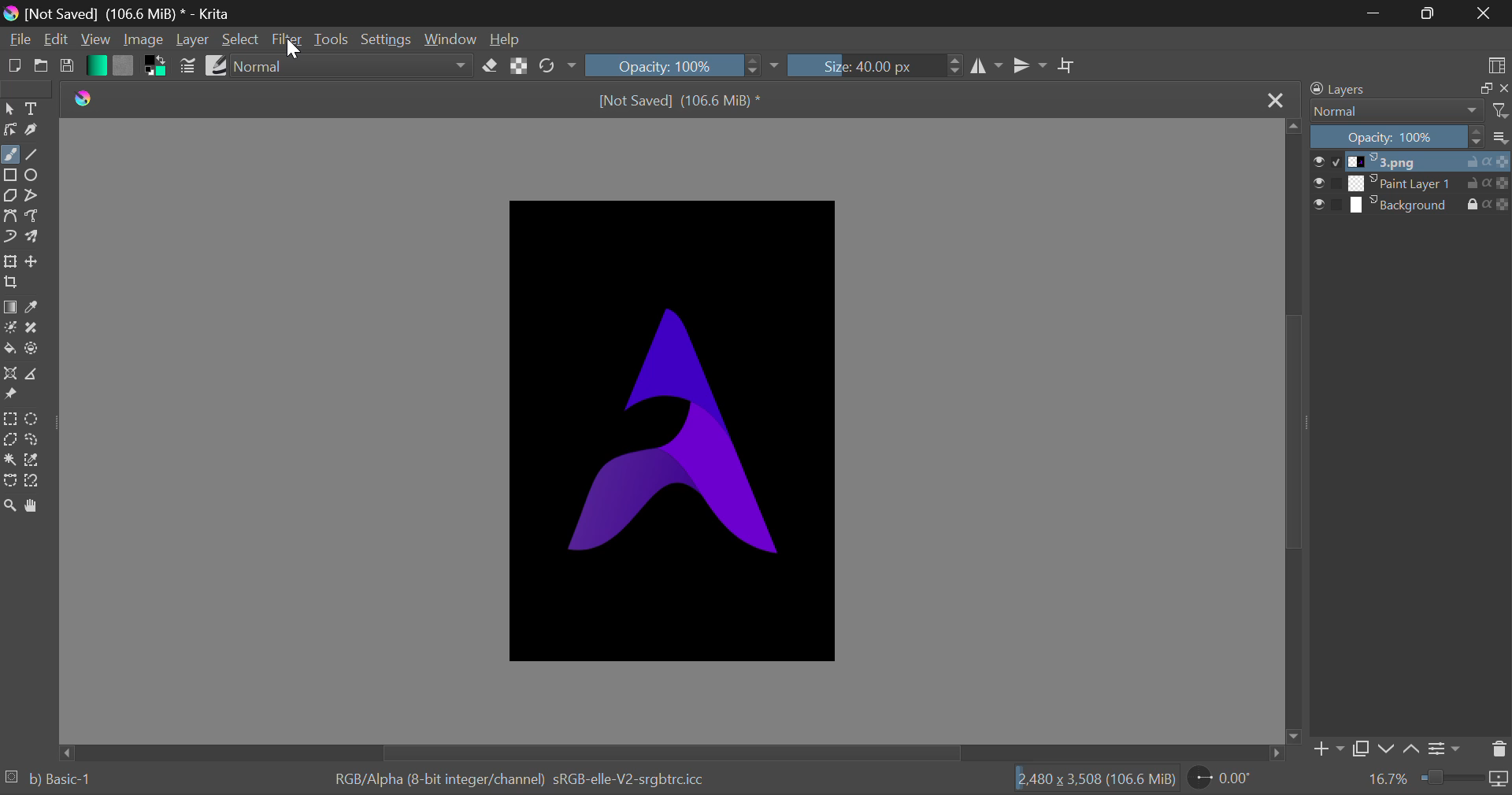 The width and height of the screenshot is (1512, 795). I want to click on Multibrush Tool, so click(38, 238).